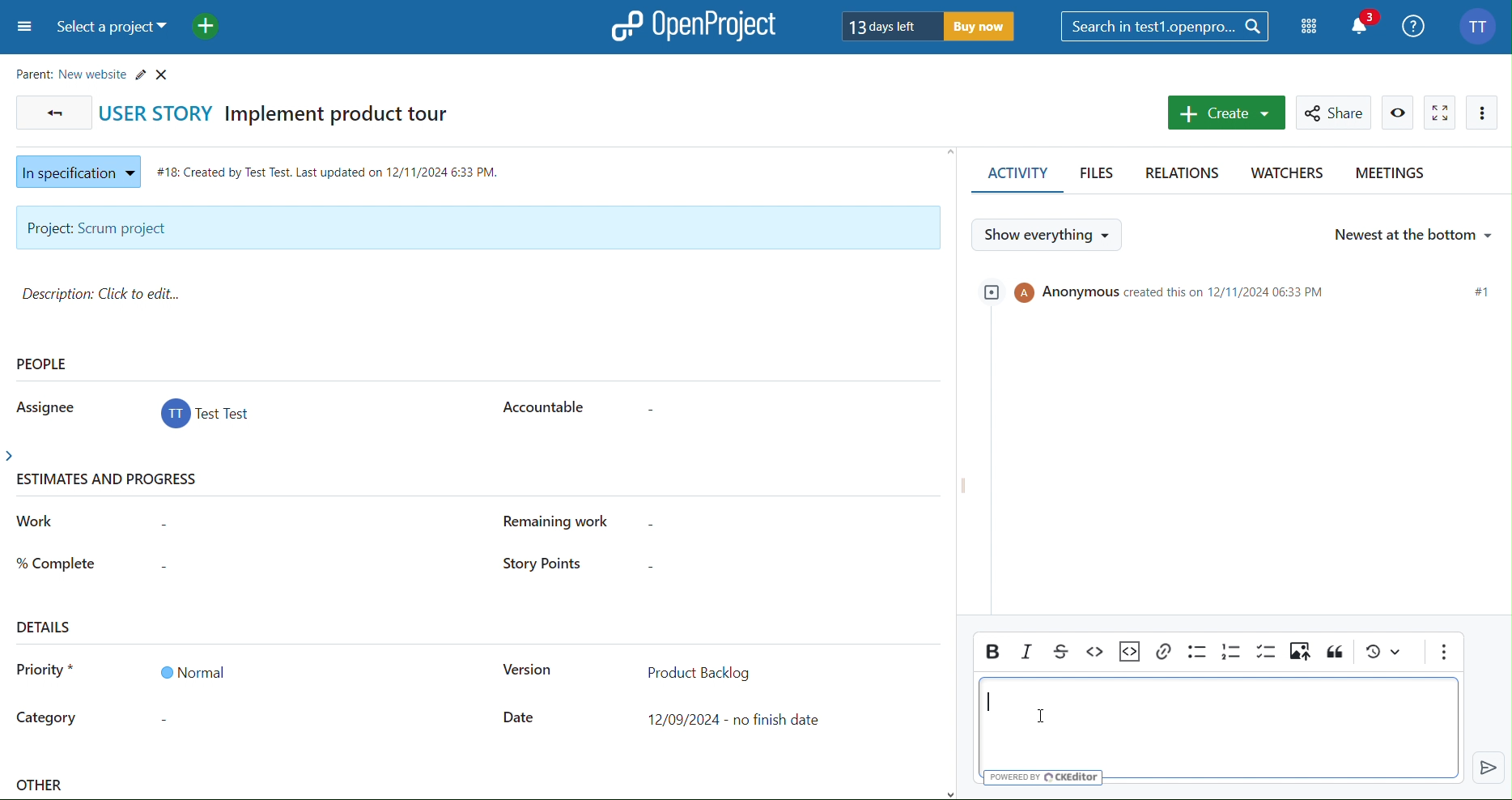 This screenshot has height=800, width=1512. Describe the element at coordinates (1300, 654) in the screenshot. I see `Insert Image` at that location.